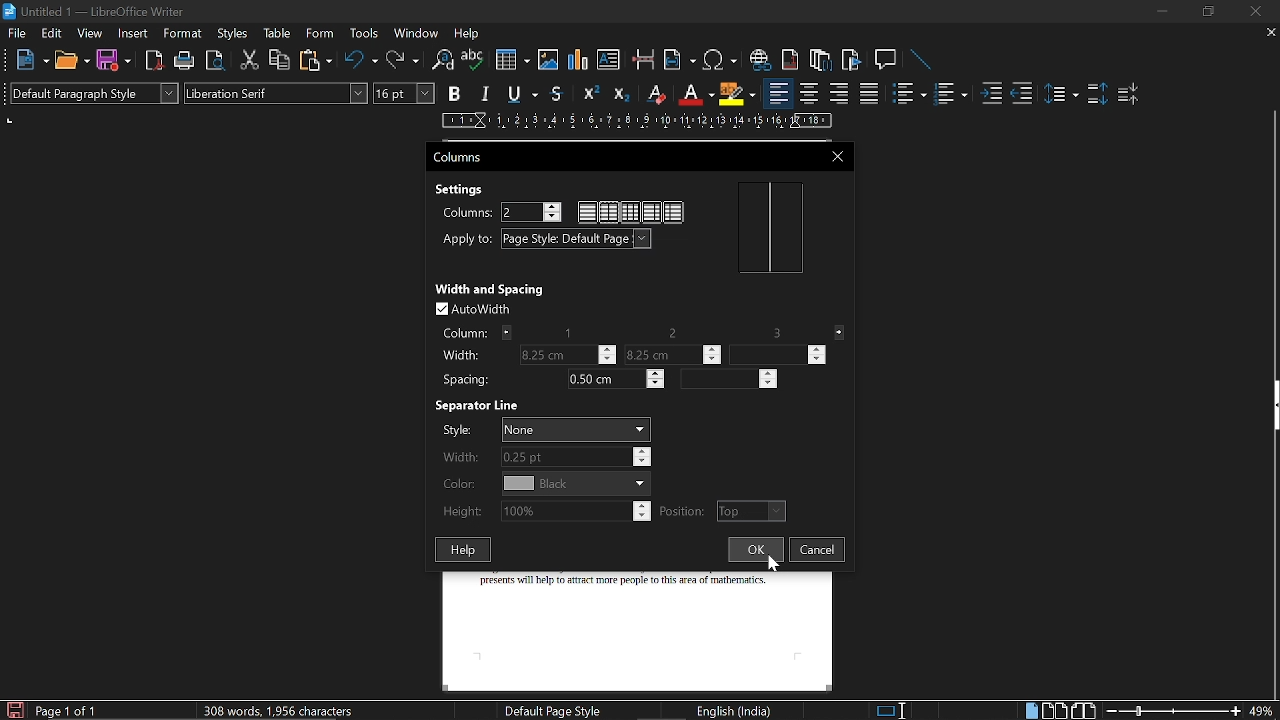 The width and height of the screenshot is (1280, 720). What do you see at coordinates (733, 711) in the screenshot?
I see `English (India)` at bounding box center [733, 711].